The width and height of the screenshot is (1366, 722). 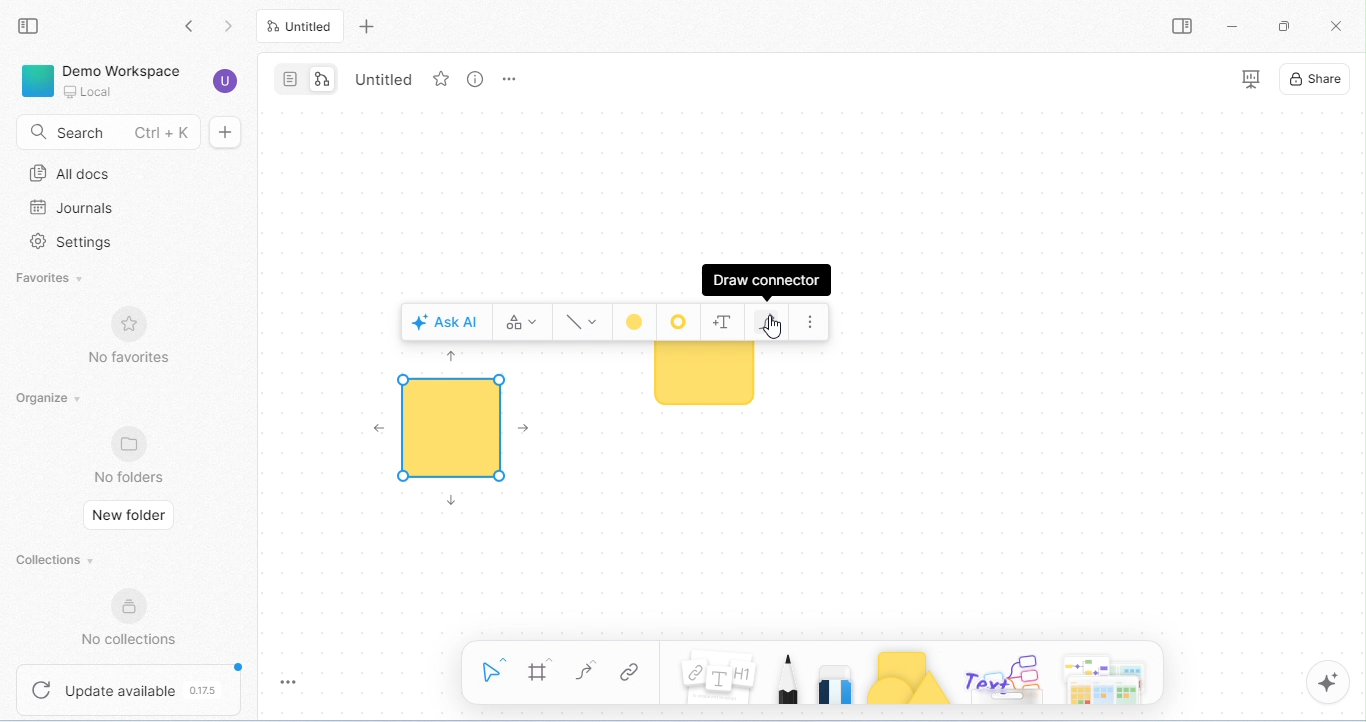 I want to click on collections, so click(x=59, y=561).